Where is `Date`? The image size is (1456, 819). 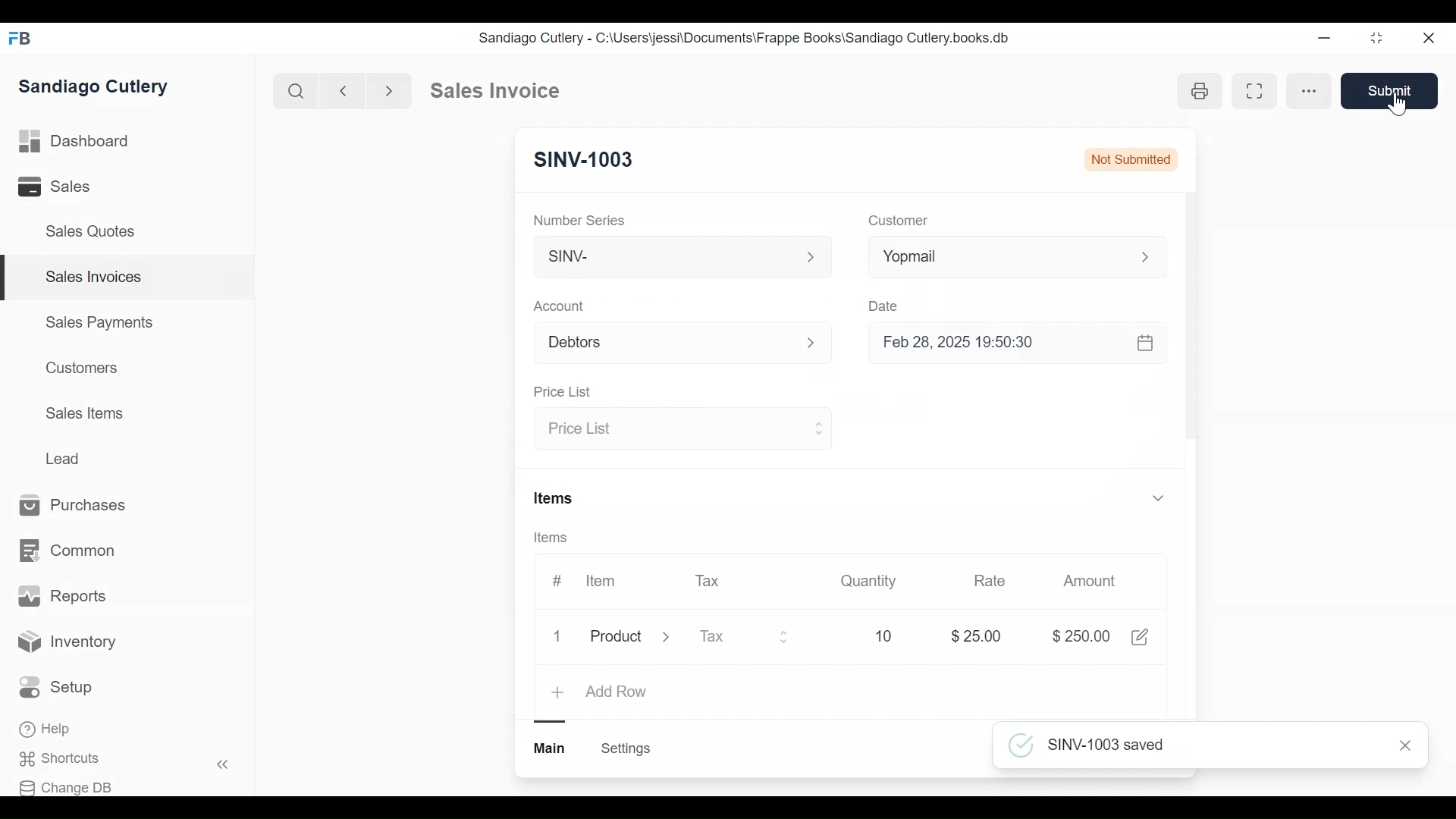
Date is located at coordinates (886, 306).